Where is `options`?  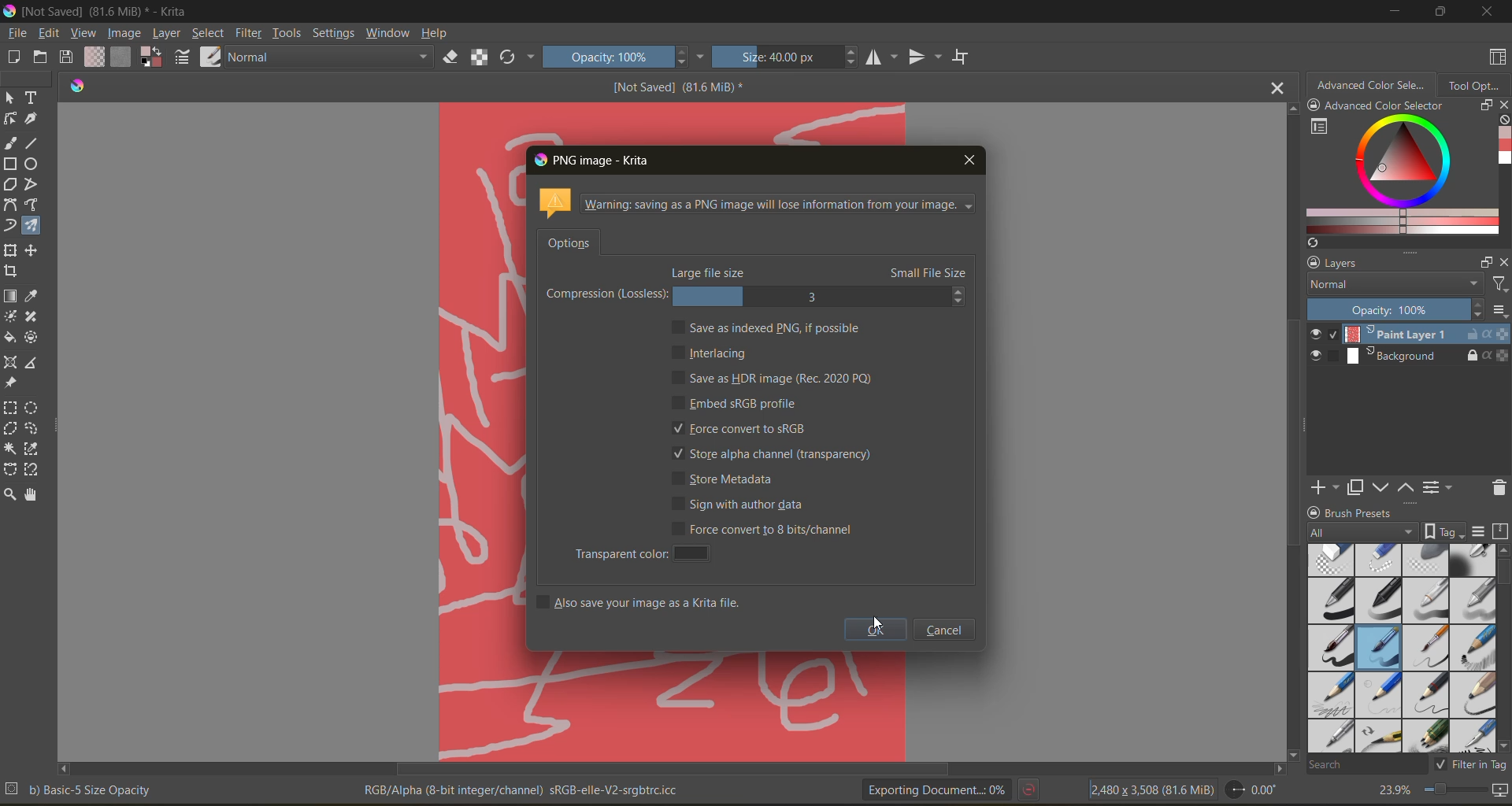
options is located at coordinates (573, 243).